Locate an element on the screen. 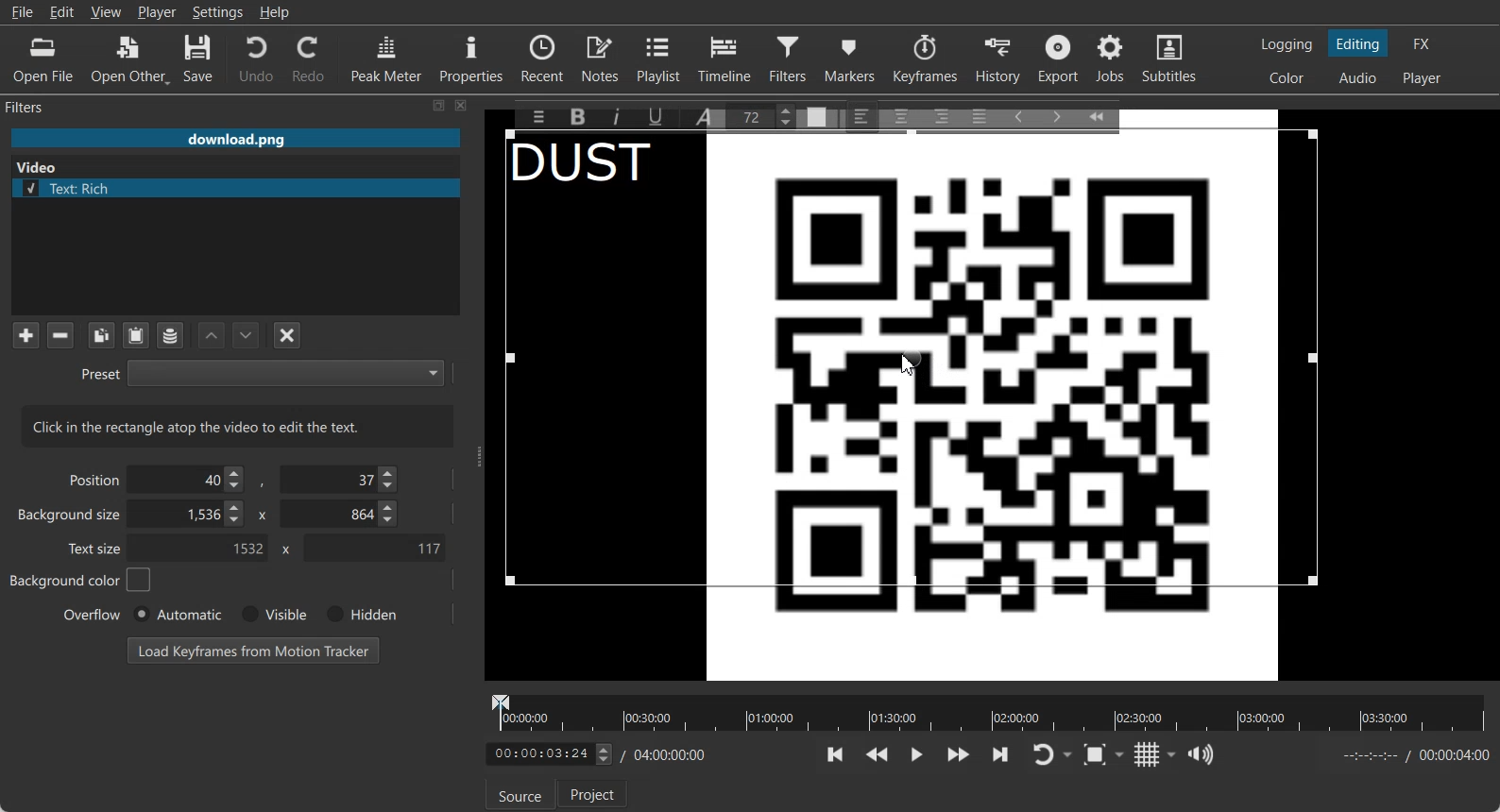 This screenshot has height=812, width=1500. Bold is located at coordinates (576, 115).